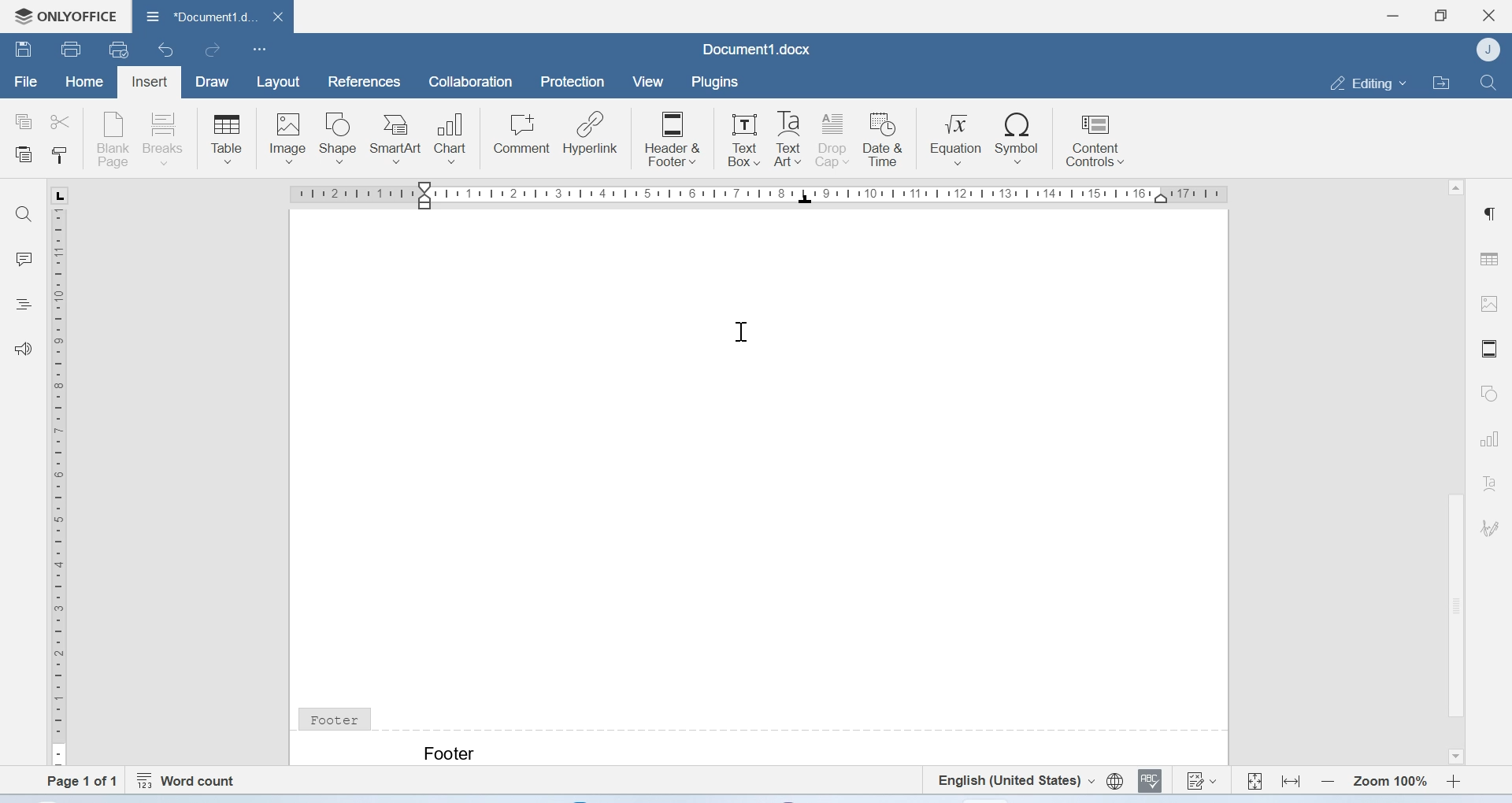  What do you see at coordinates (1094, 142) in the screenshot?
I see `Content controls` at bounding box center [1094, 142].